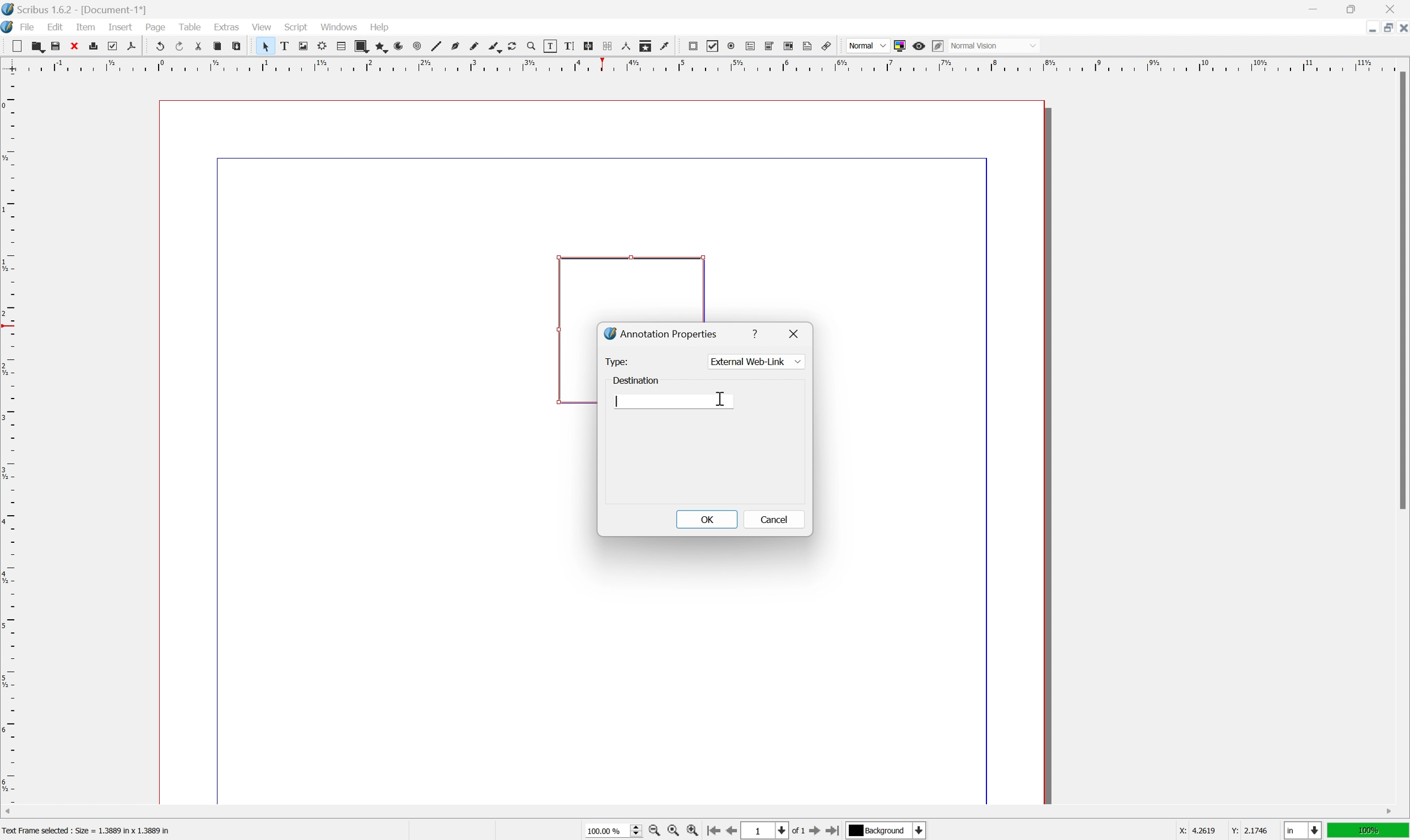 Image resolution: width=1410 pixels, height=840 pixels. I want to click on go to next page, so click(817, 832).